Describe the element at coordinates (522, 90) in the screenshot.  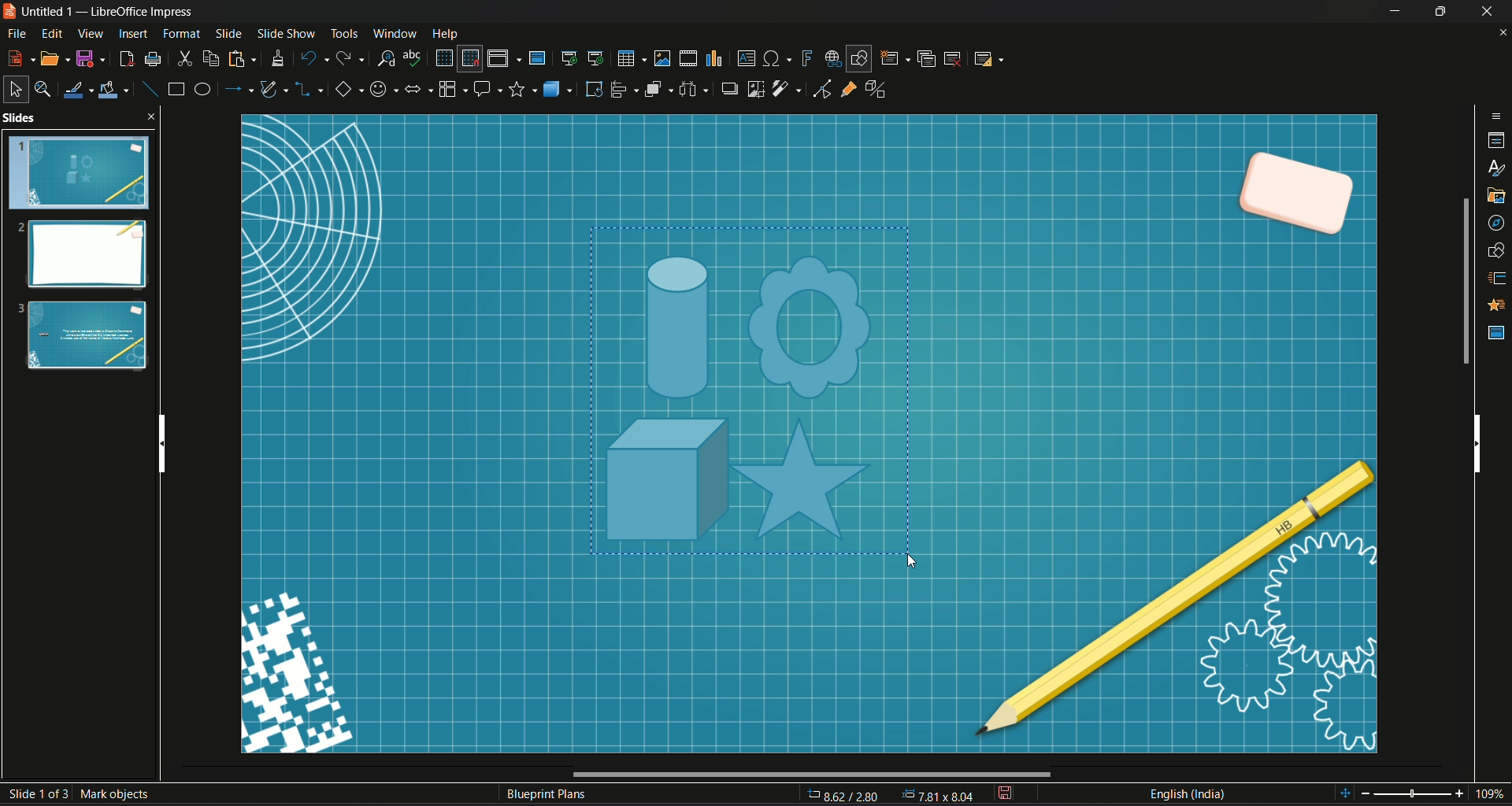
I see `stars and banners` at that location.